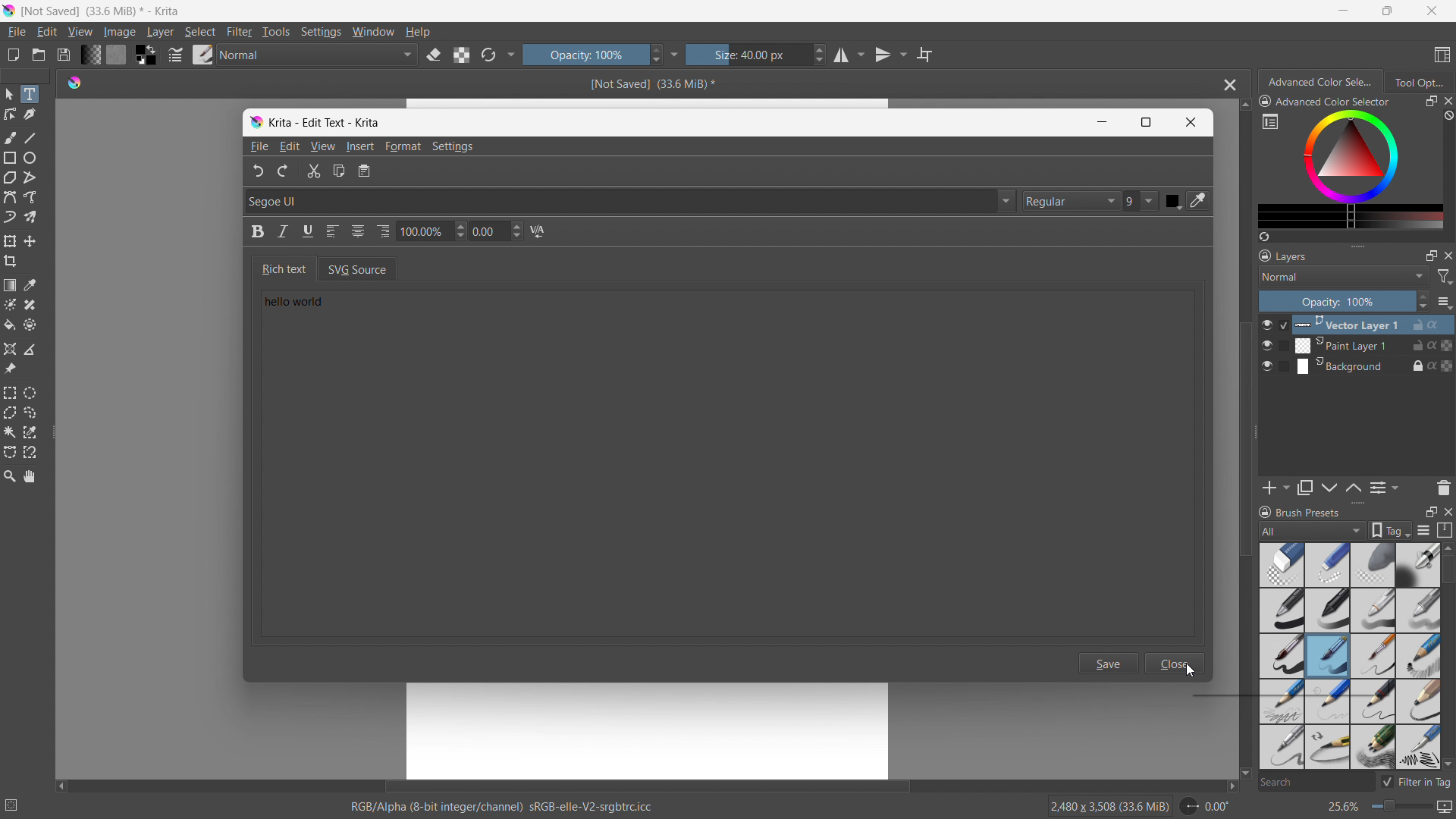 Image resolution: width=1456 pixels, height=819 pixels. What do you see at coordinates (498, 232) in the screenshot?
I see `0.00` at bounding box center [498, 232].